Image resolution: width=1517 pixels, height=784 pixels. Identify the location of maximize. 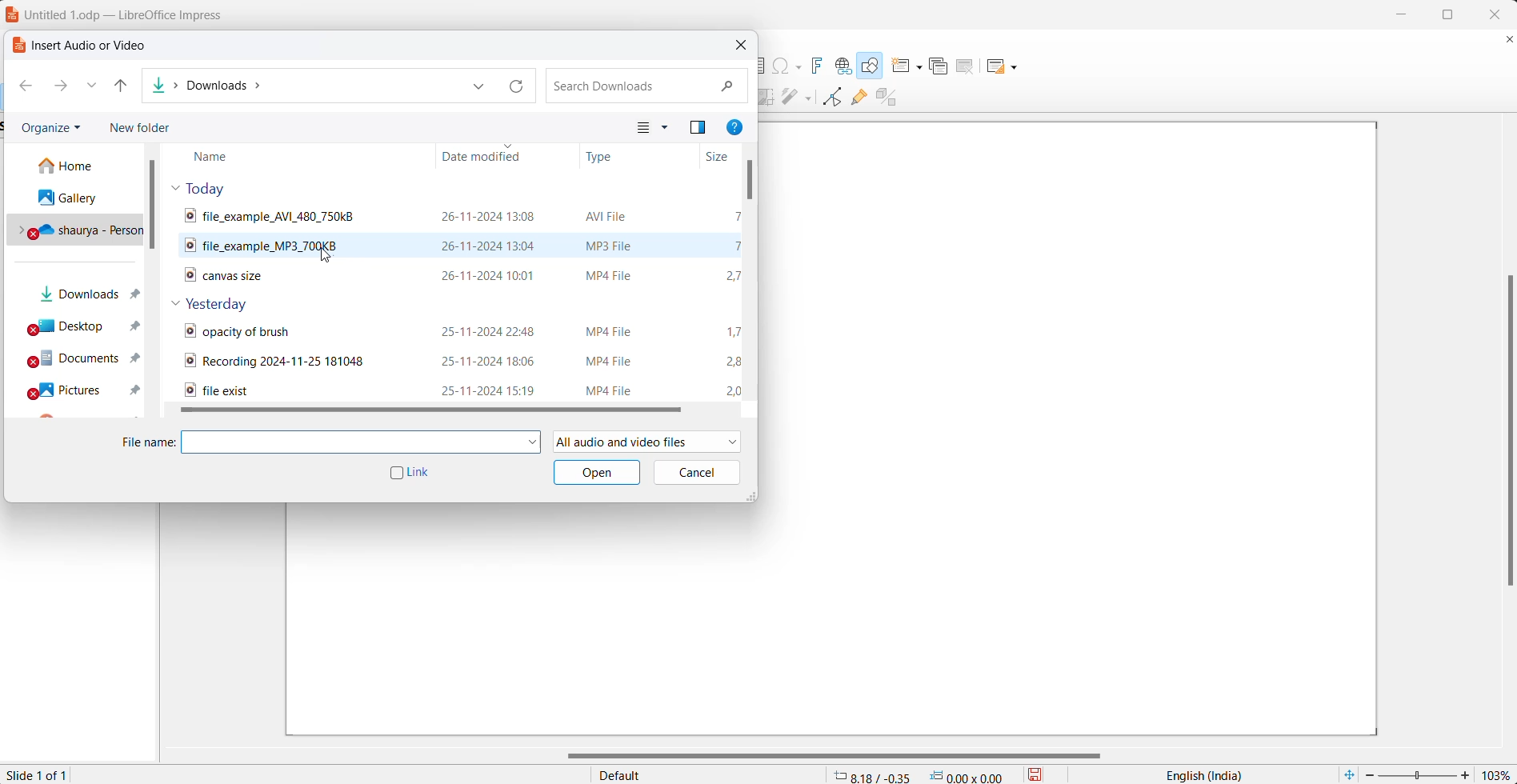
(1453, 16).